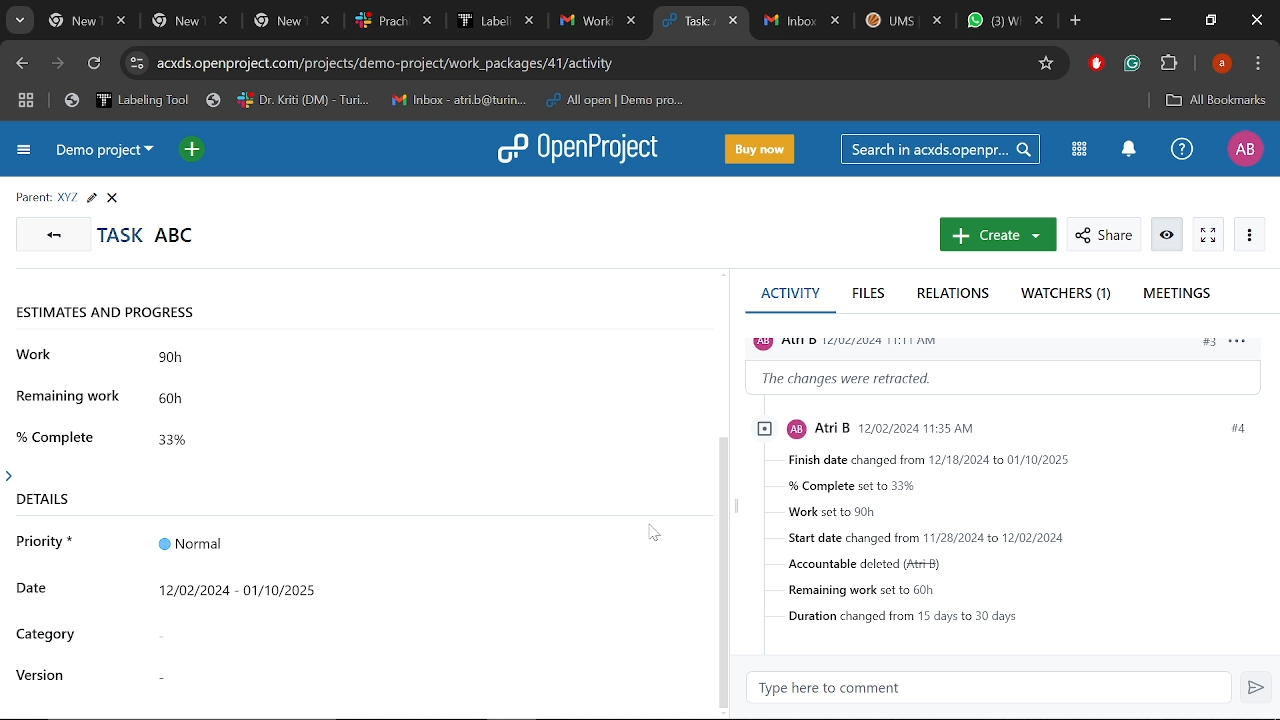 This screenshot has width=1280, height=720. What do you see at coordinates (1165, 19) in the screenshot?
I see `Minimize` at bounding box center [1165, 19].